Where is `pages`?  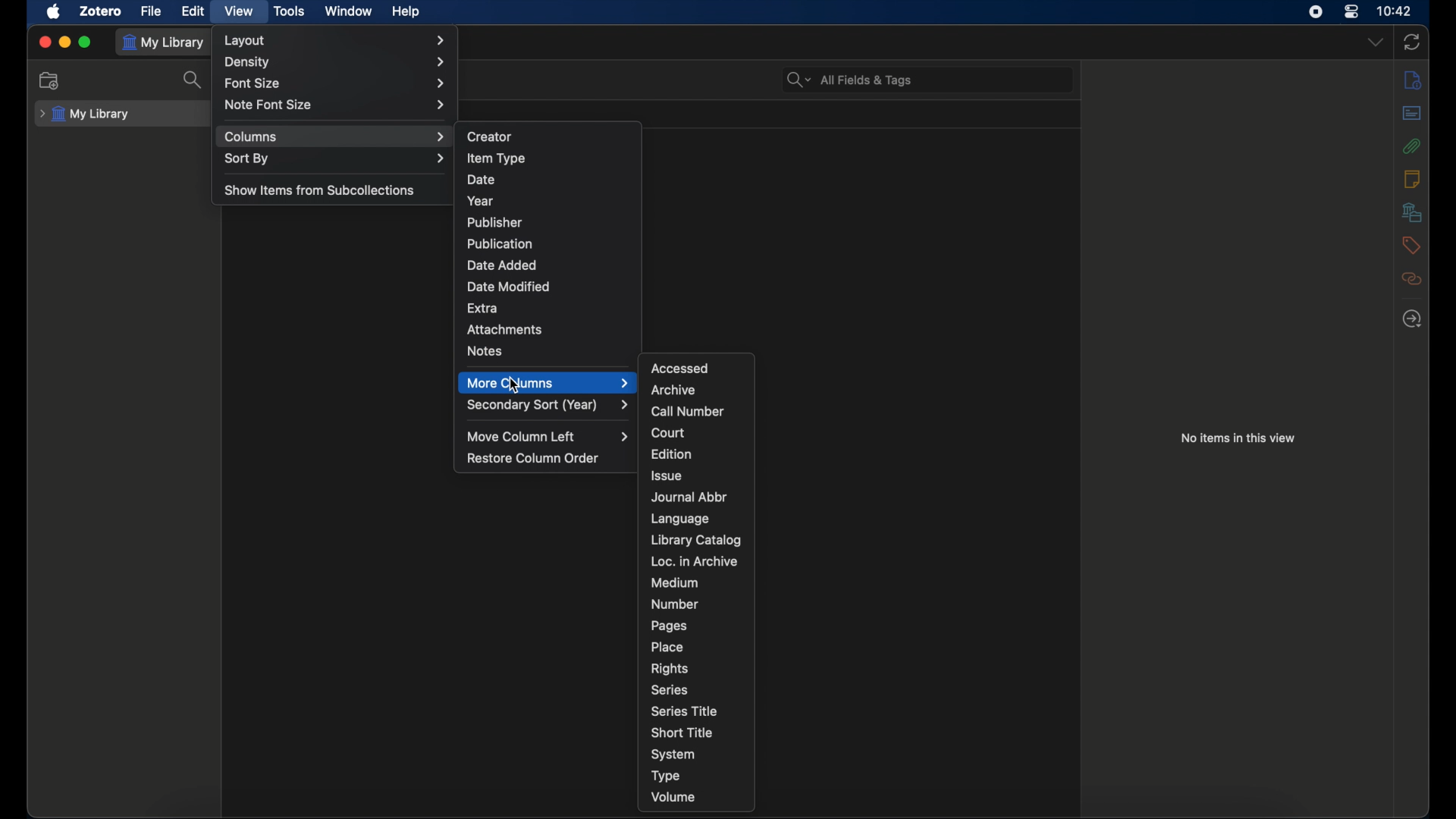 pages is located at coordinates (670, 626).